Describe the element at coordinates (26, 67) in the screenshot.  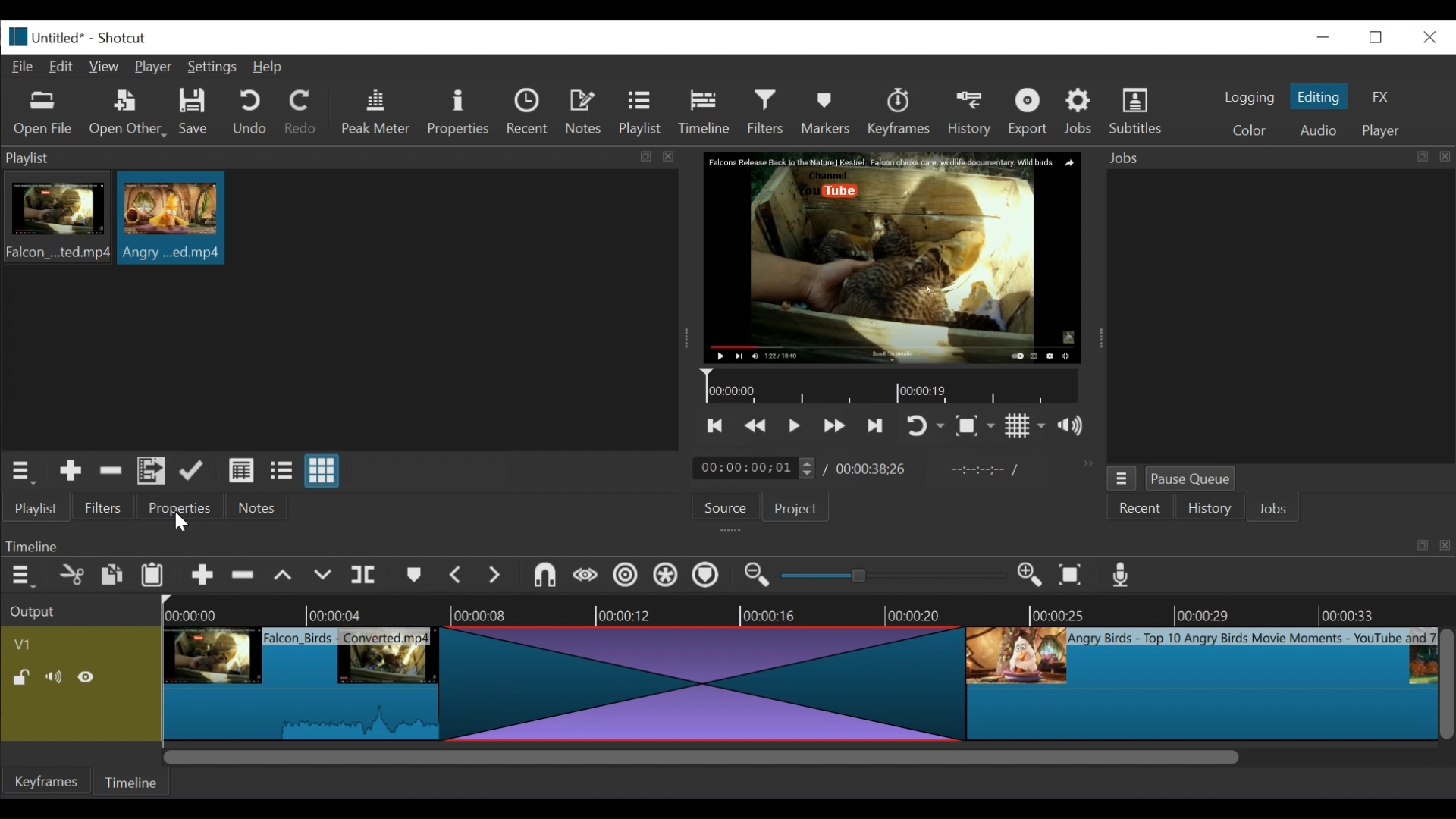
I see `File` at that location.